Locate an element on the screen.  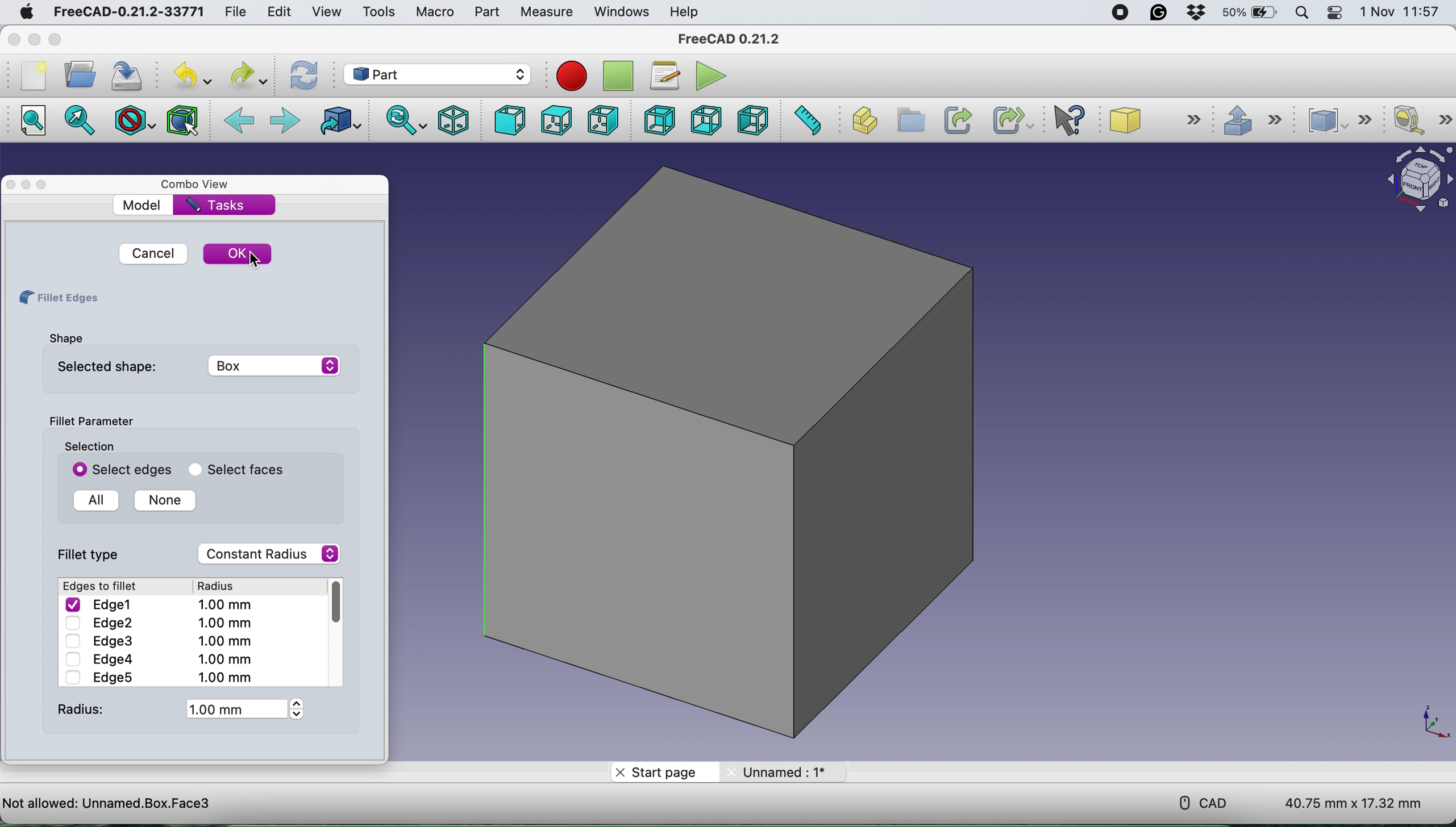
Fillet type - Constant Radius is located at coordinates (201, 554).